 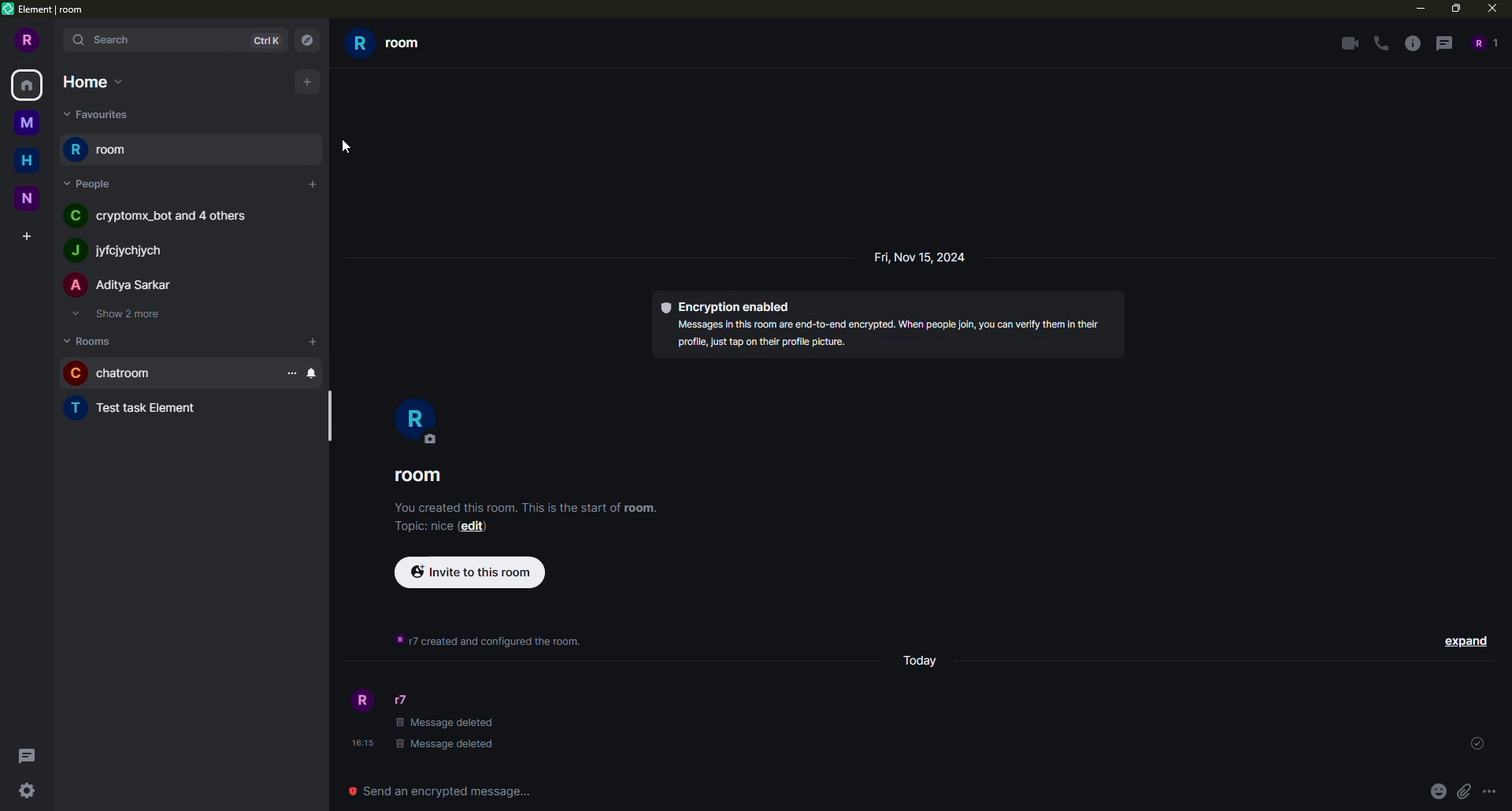 I want to click on r7, so click(x=400, y=699).